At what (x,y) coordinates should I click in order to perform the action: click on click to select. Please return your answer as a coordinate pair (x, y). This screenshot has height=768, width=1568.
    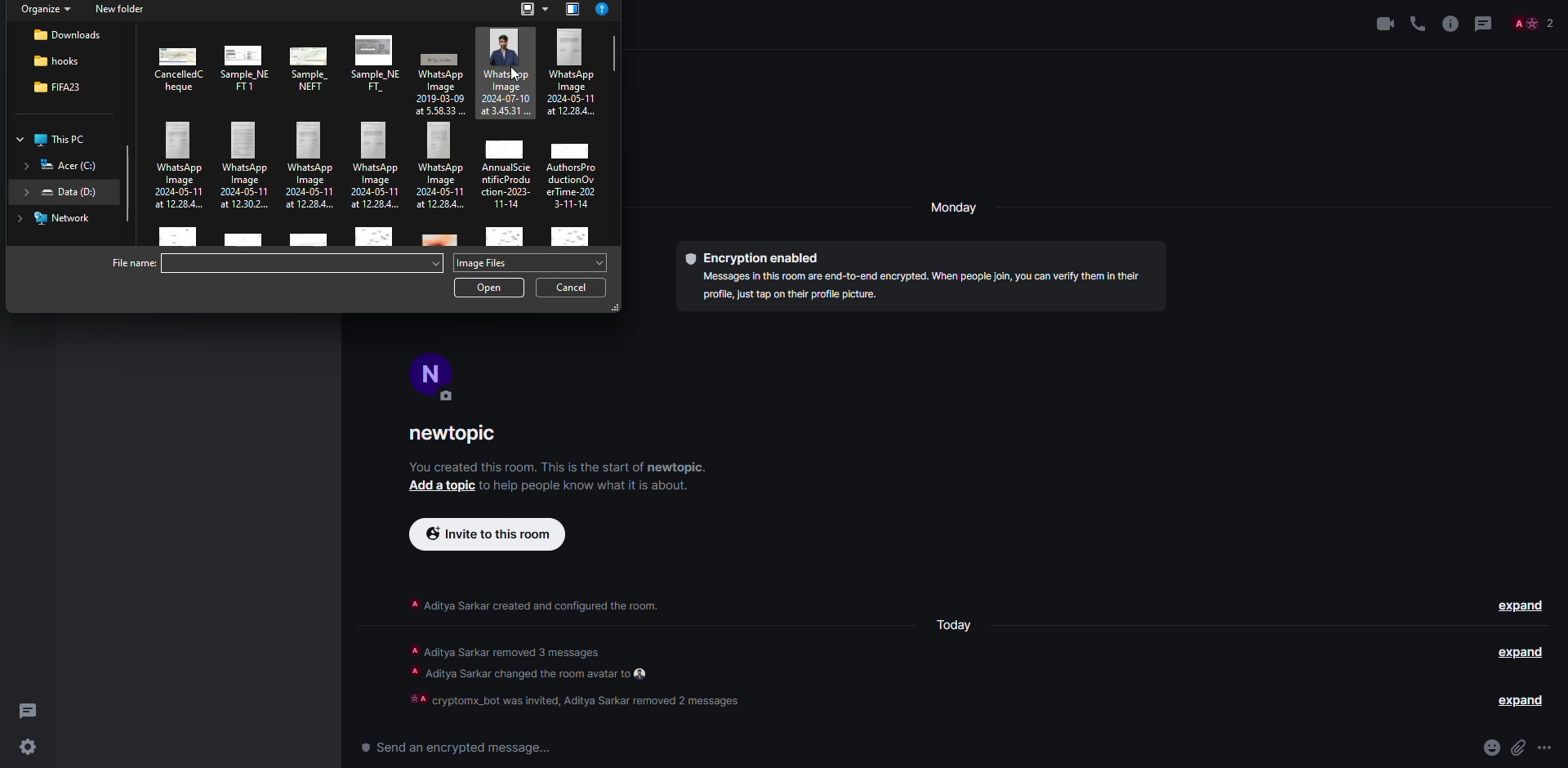
    Looking at the image, I should click on (313, 68).